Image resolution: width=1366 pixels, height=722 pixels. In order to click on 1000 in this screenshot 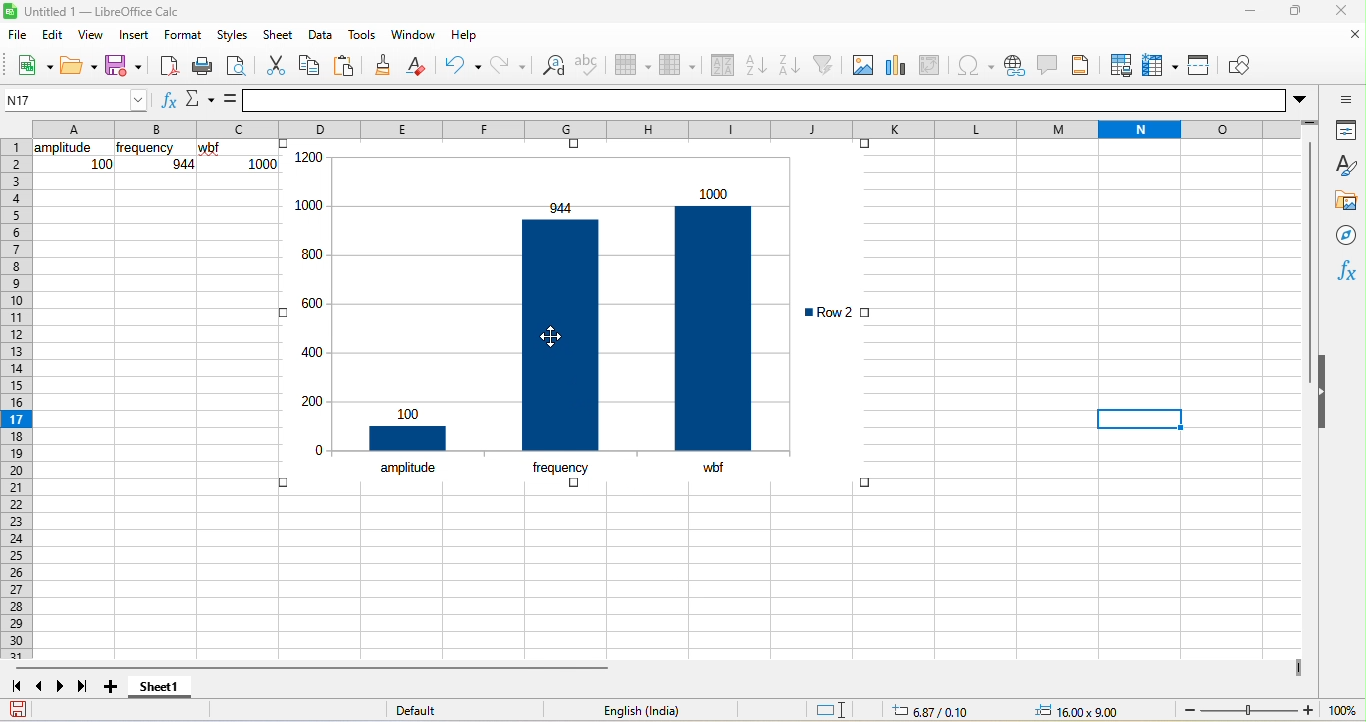, I will do `click(263, 164)`.